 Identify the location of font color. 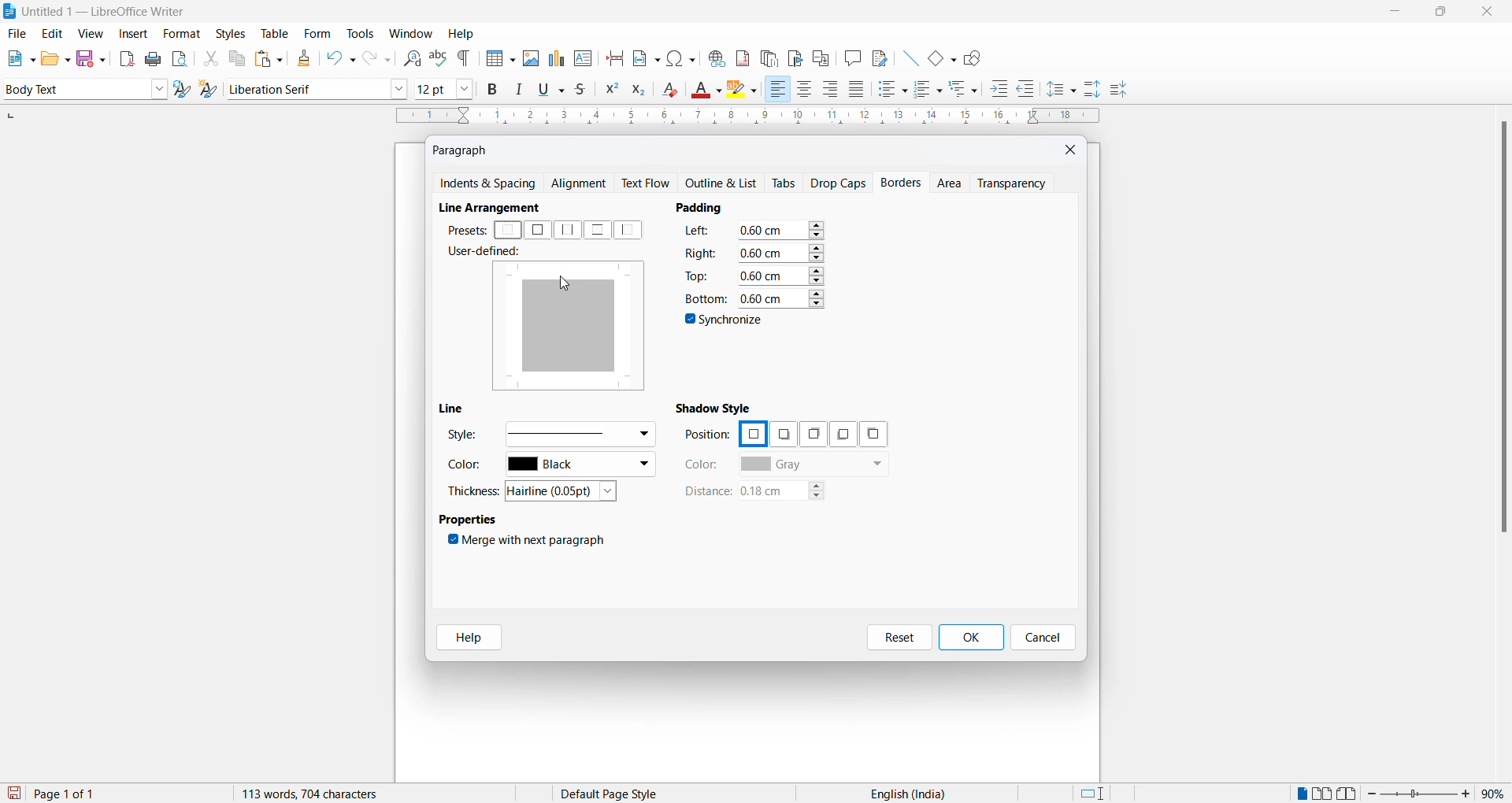
(708, 91).